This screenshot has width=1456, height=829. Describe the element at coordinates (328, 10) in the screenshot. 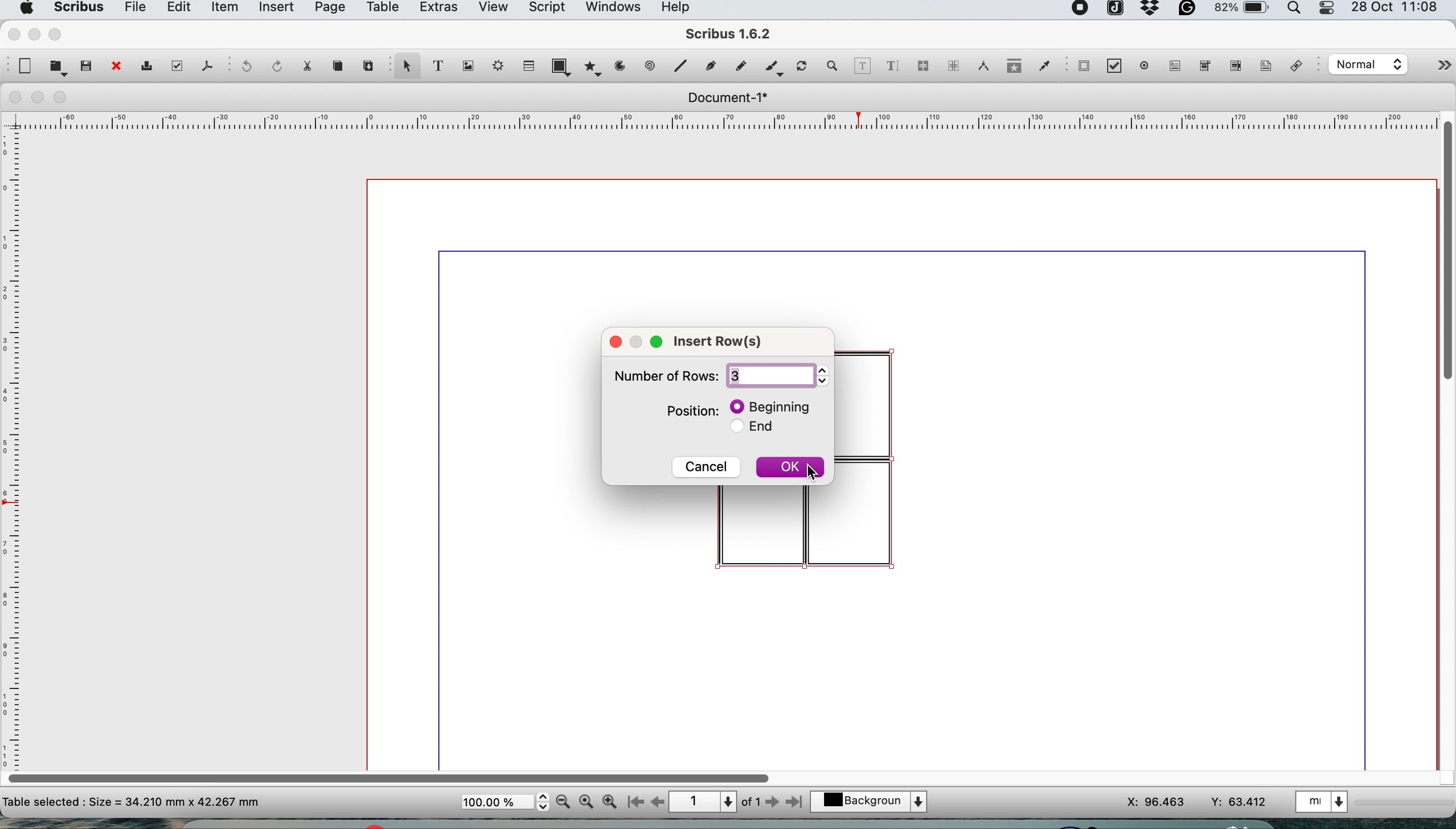

I see `page` at that location.